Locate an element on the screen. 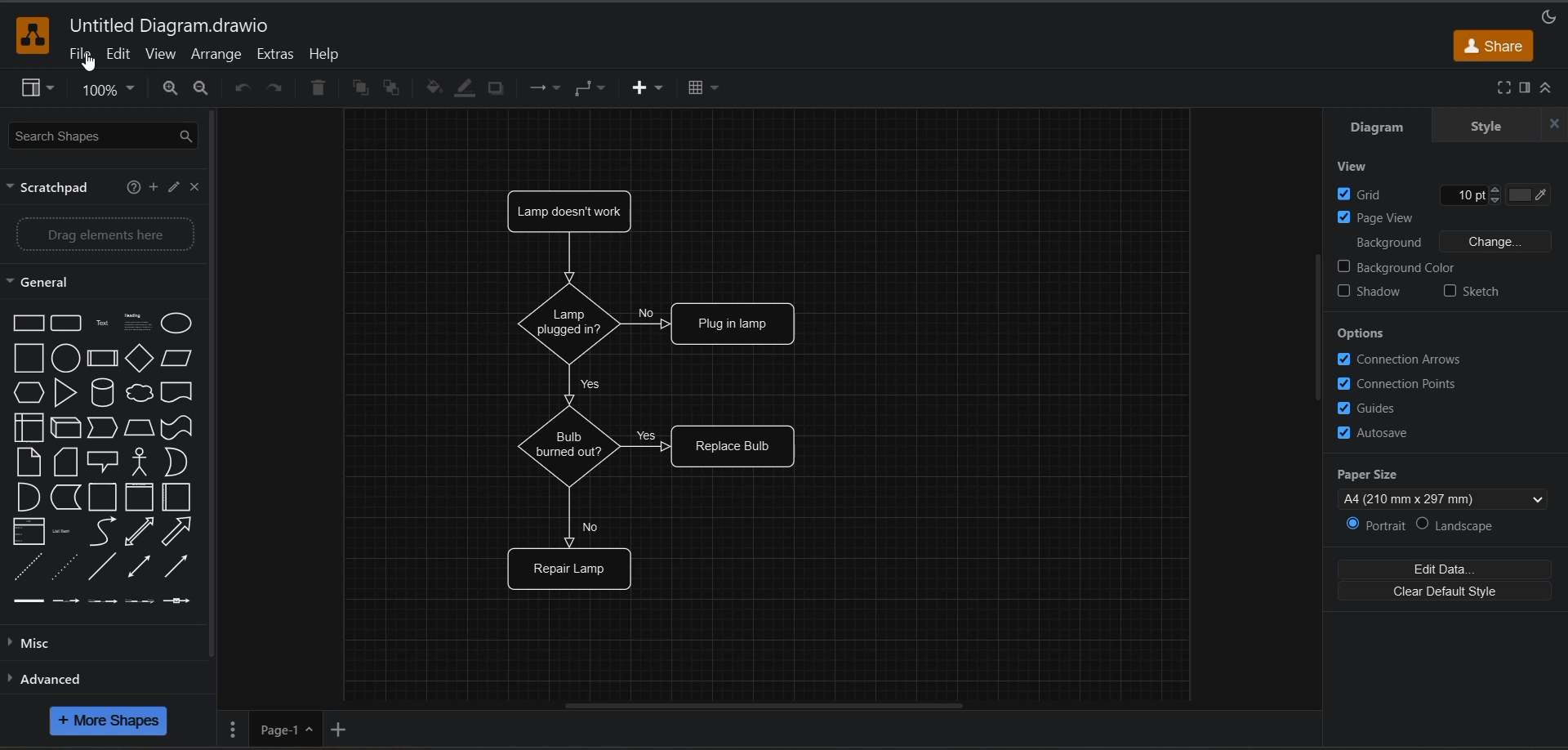 The width and height of the screenshot is (1568, 750). appearance is located at coordinates (1543, 16).